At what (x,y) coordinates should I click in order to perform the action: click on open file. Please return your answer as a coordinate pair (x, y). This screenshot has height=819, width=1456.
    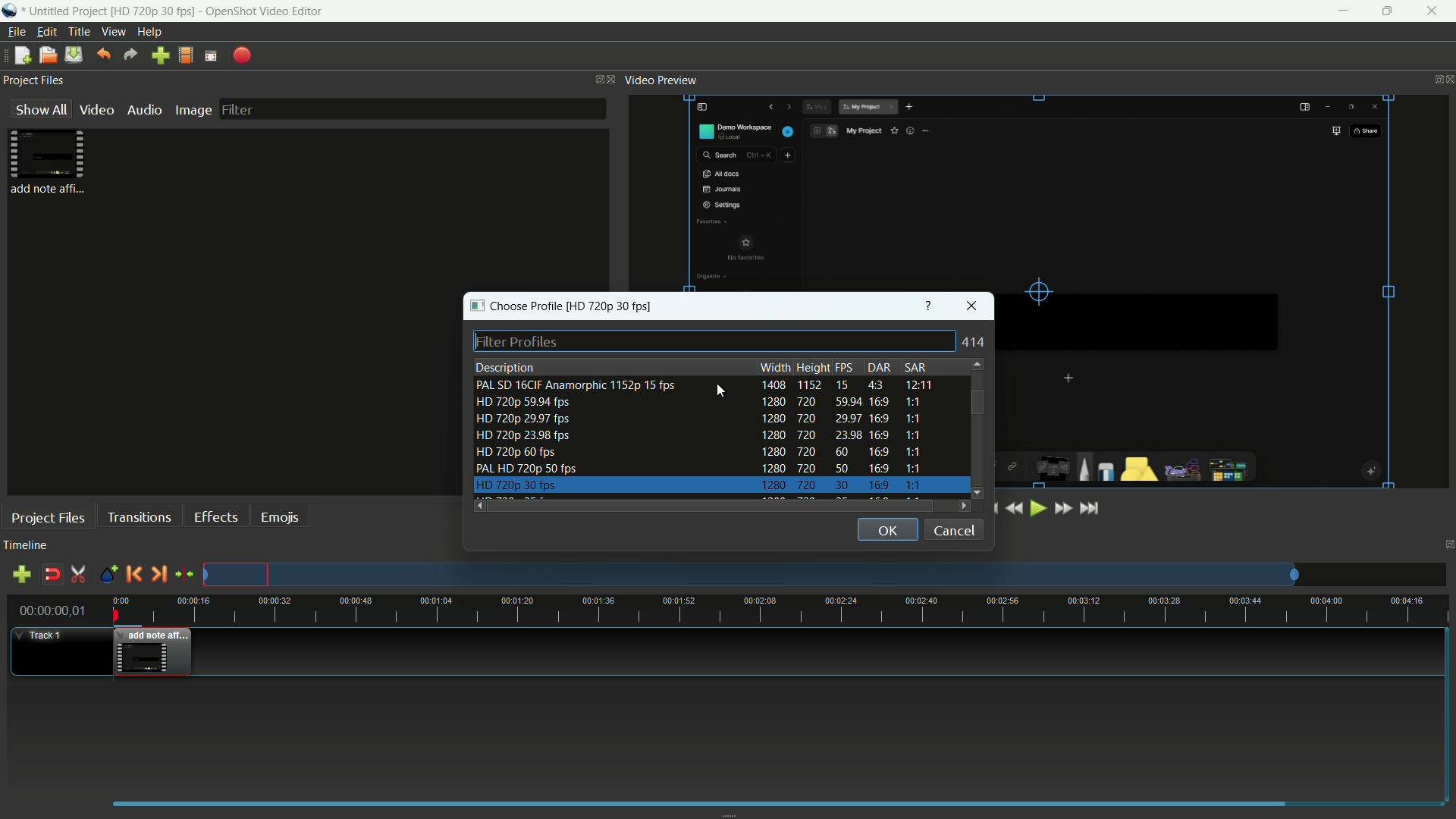
    Looking at the image, I should click on (46, 56).